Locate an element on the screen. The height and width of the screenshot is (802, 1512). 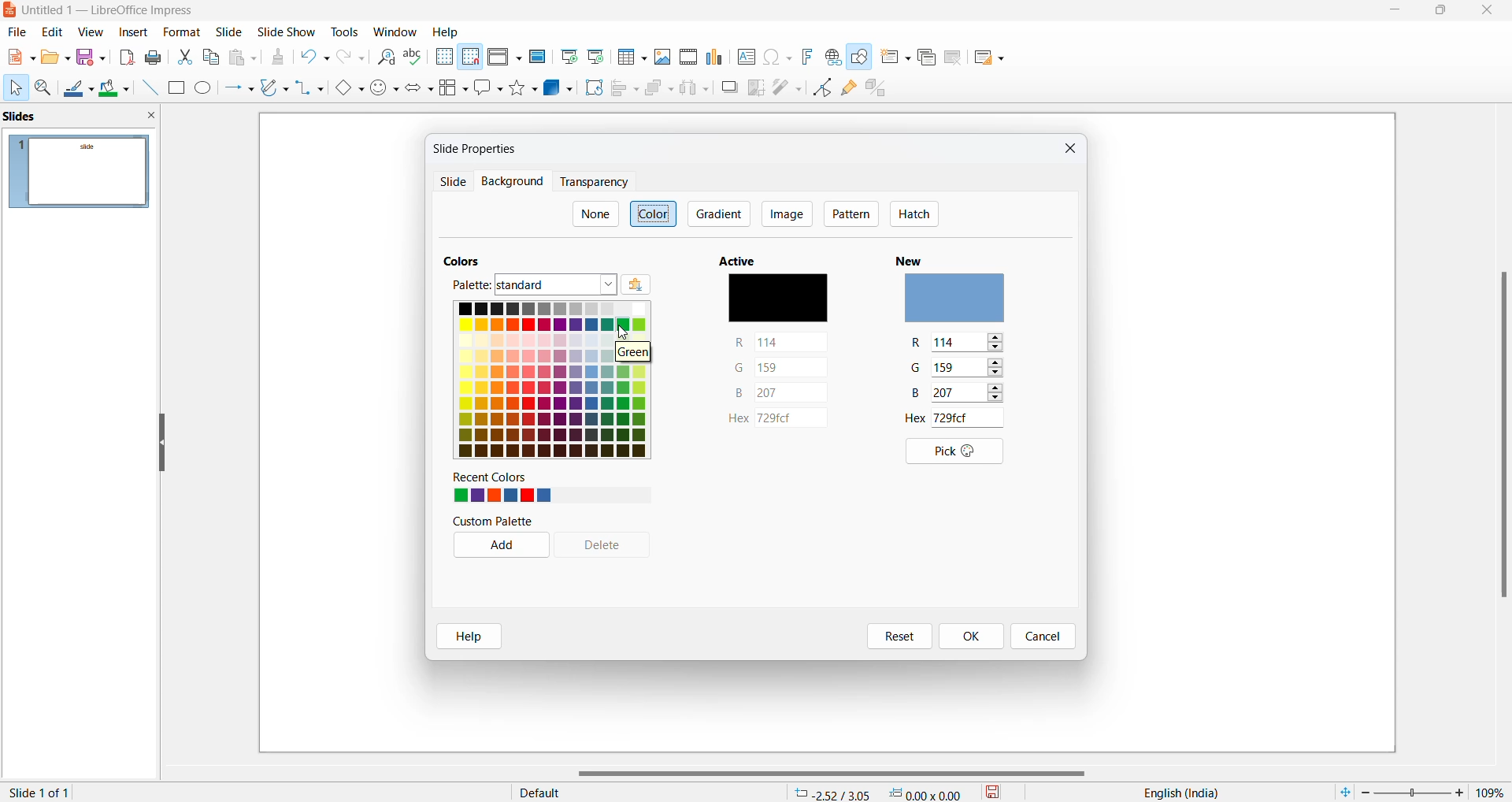
blue is located at coordinates (778, 393).